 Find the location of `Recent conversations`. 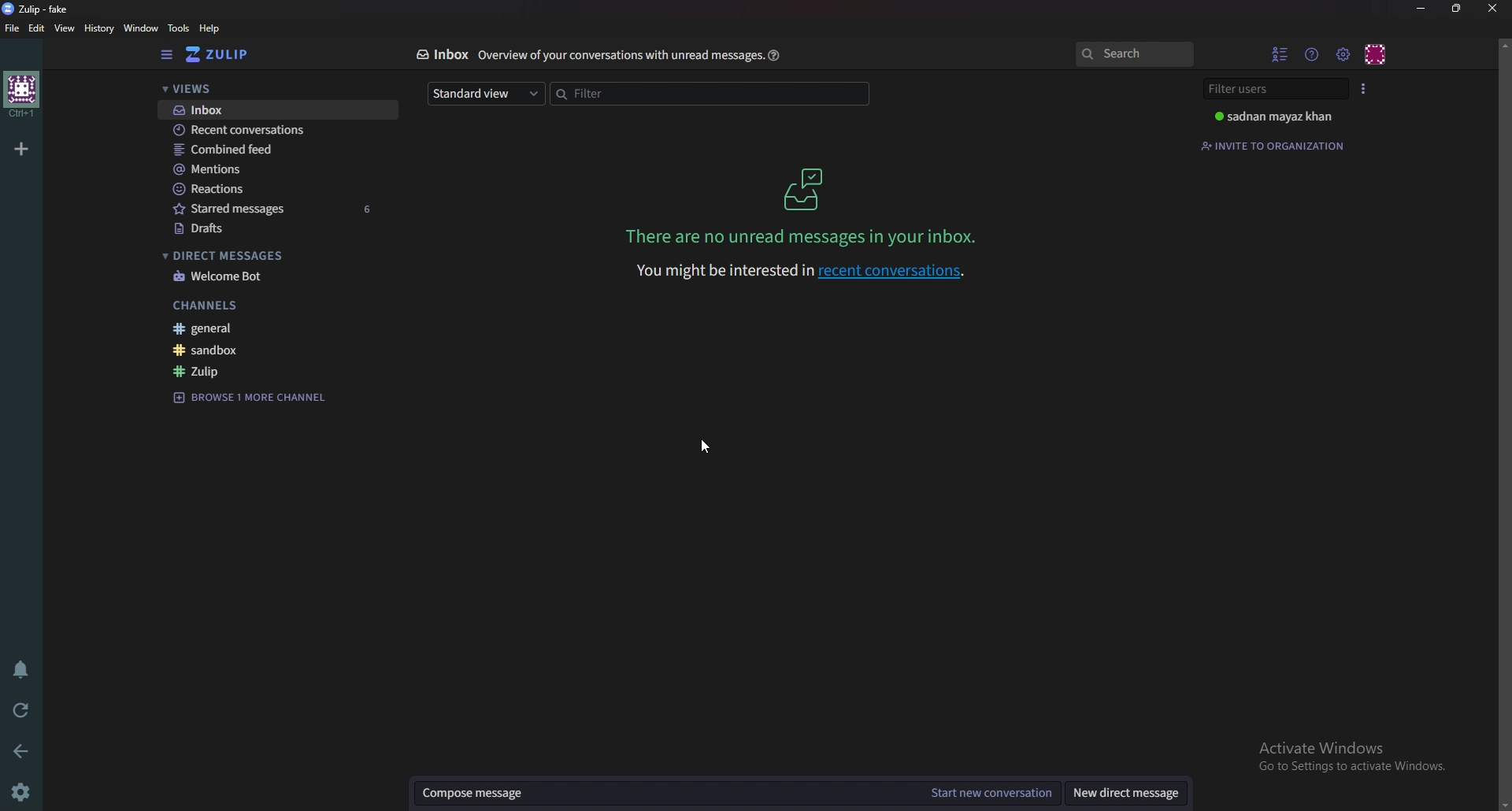

Recent conversations is located at coordinates (272, 130).